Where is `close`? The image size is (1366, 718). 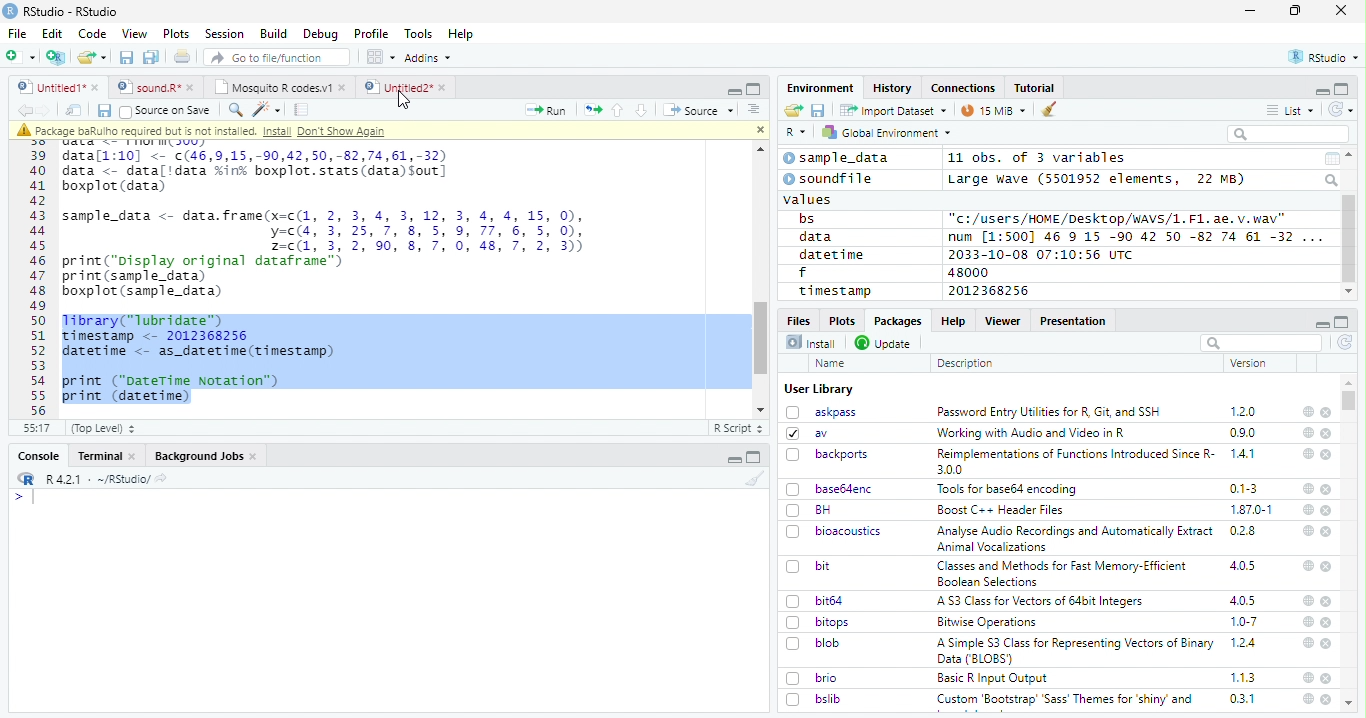 close is located at coordinates (1328, 510).